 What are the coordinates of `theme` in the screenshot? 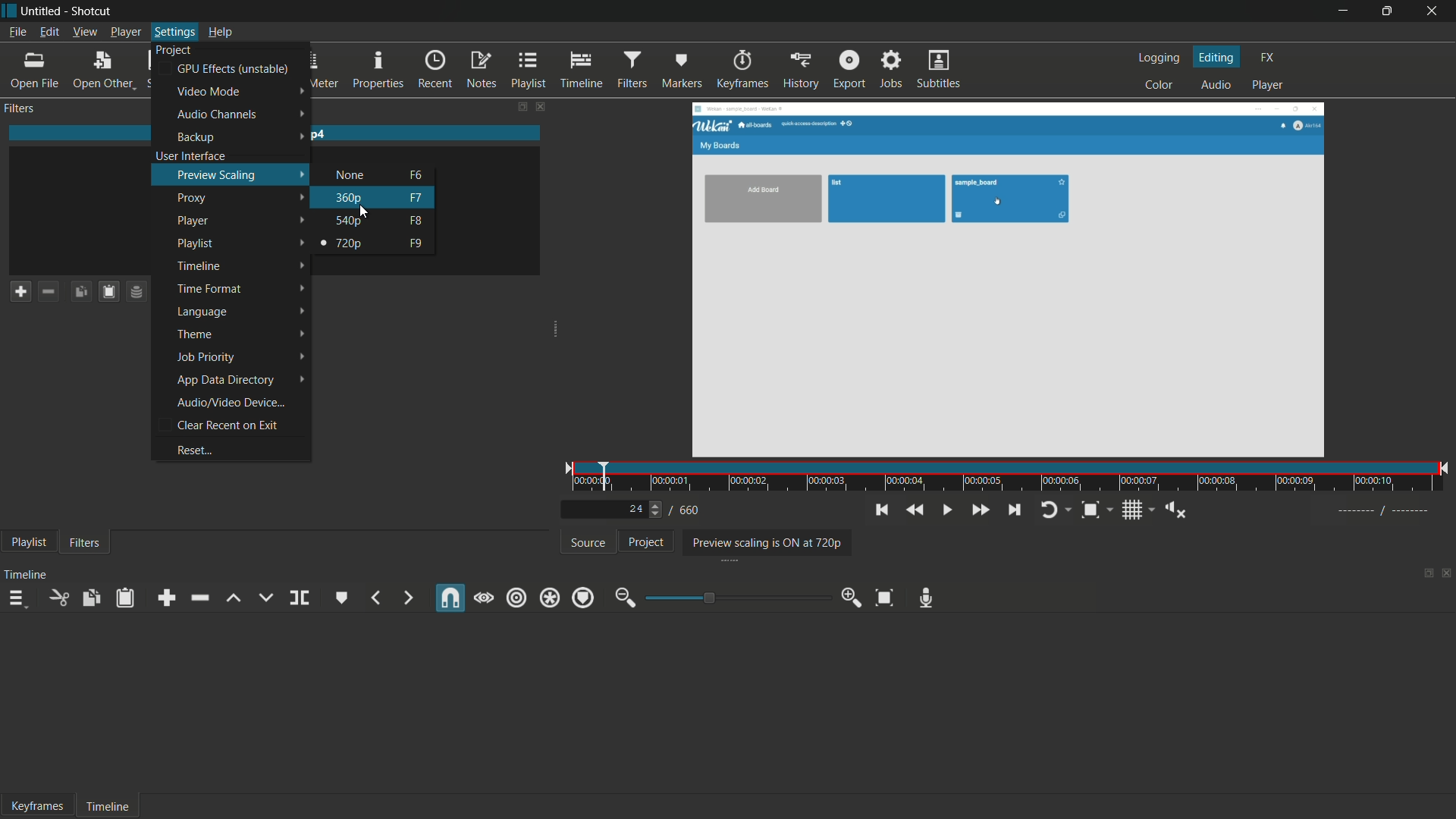 It's located at (196, 333).